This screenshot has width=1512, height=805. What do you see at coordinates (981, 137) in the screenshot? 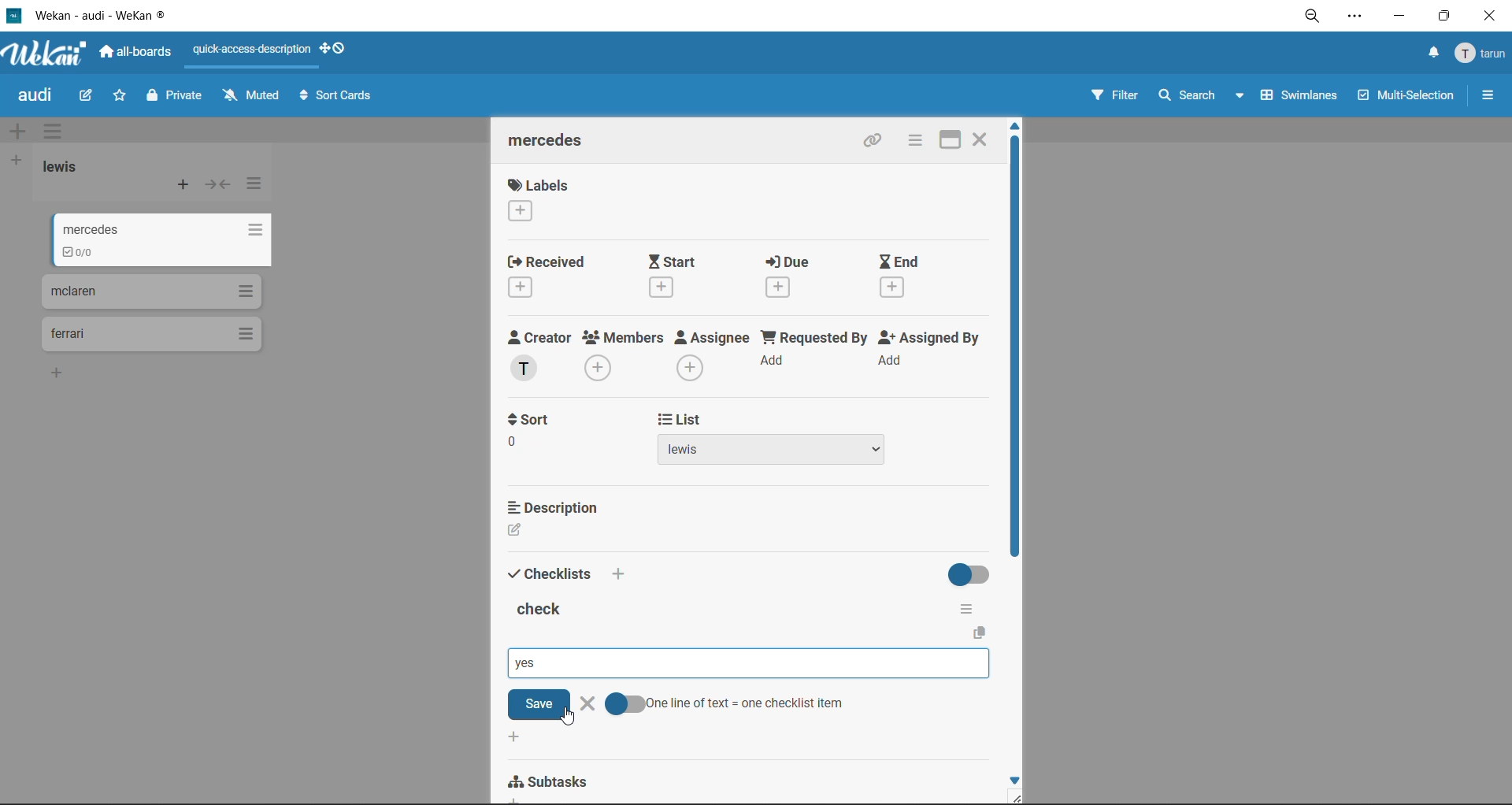
I see `close` at bounding box center [981, 137].